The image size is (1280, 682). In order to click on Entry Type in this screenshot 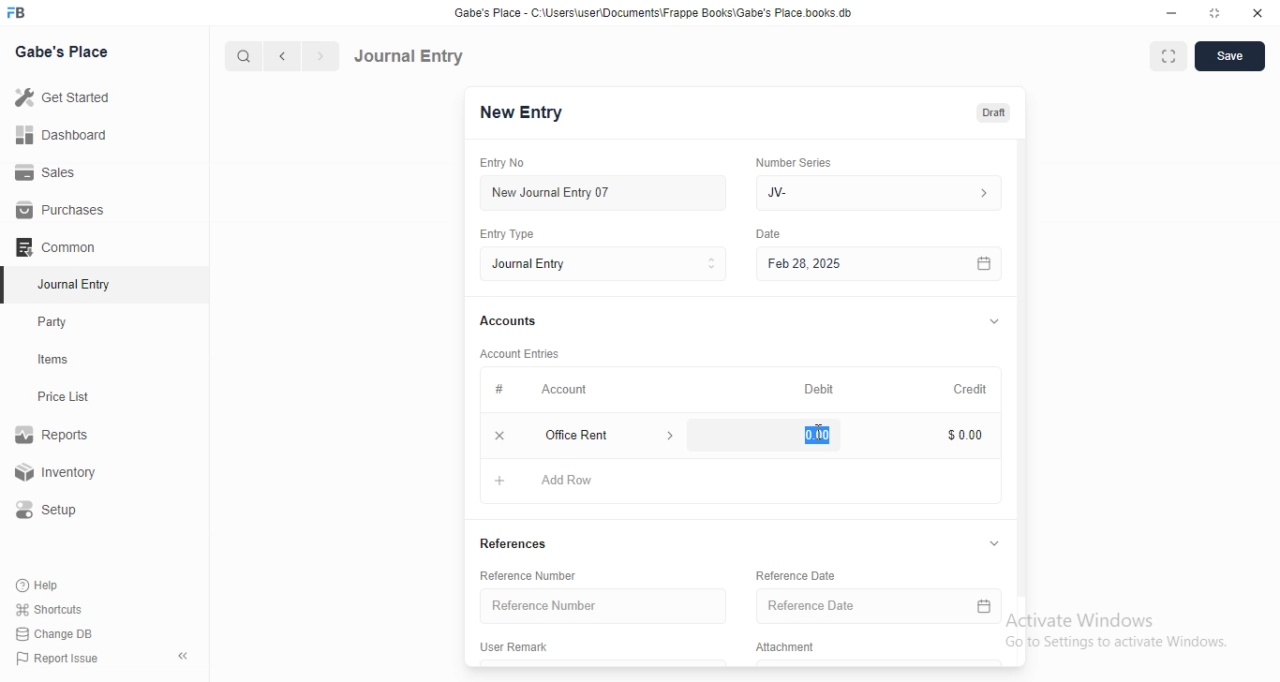, I will do `click(602, 264)`.